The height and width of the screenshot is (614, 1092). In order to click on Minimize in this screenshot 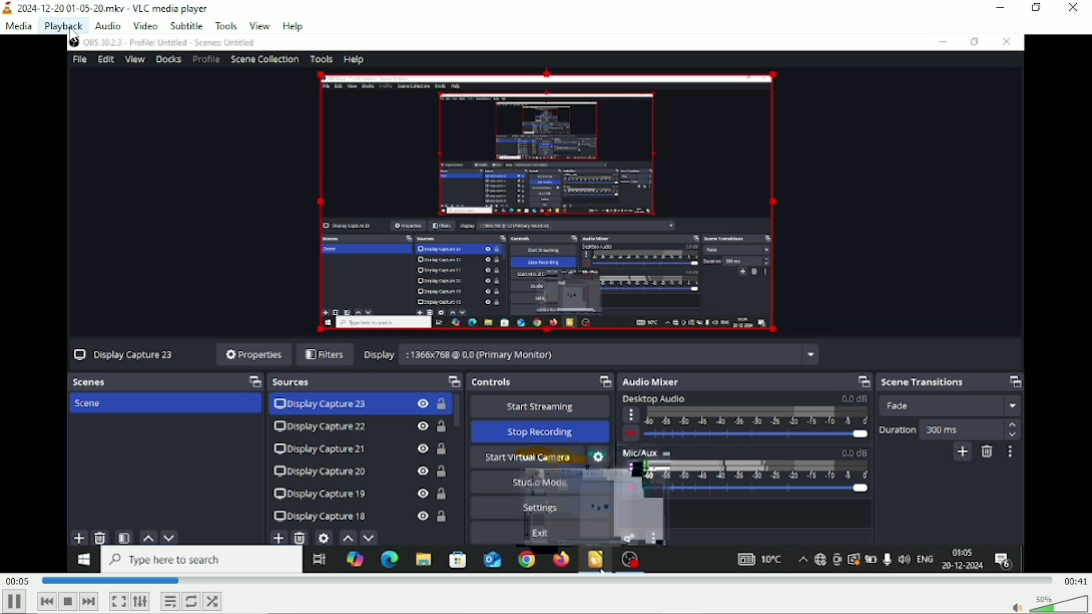, I will do `click(1000, 8)`.